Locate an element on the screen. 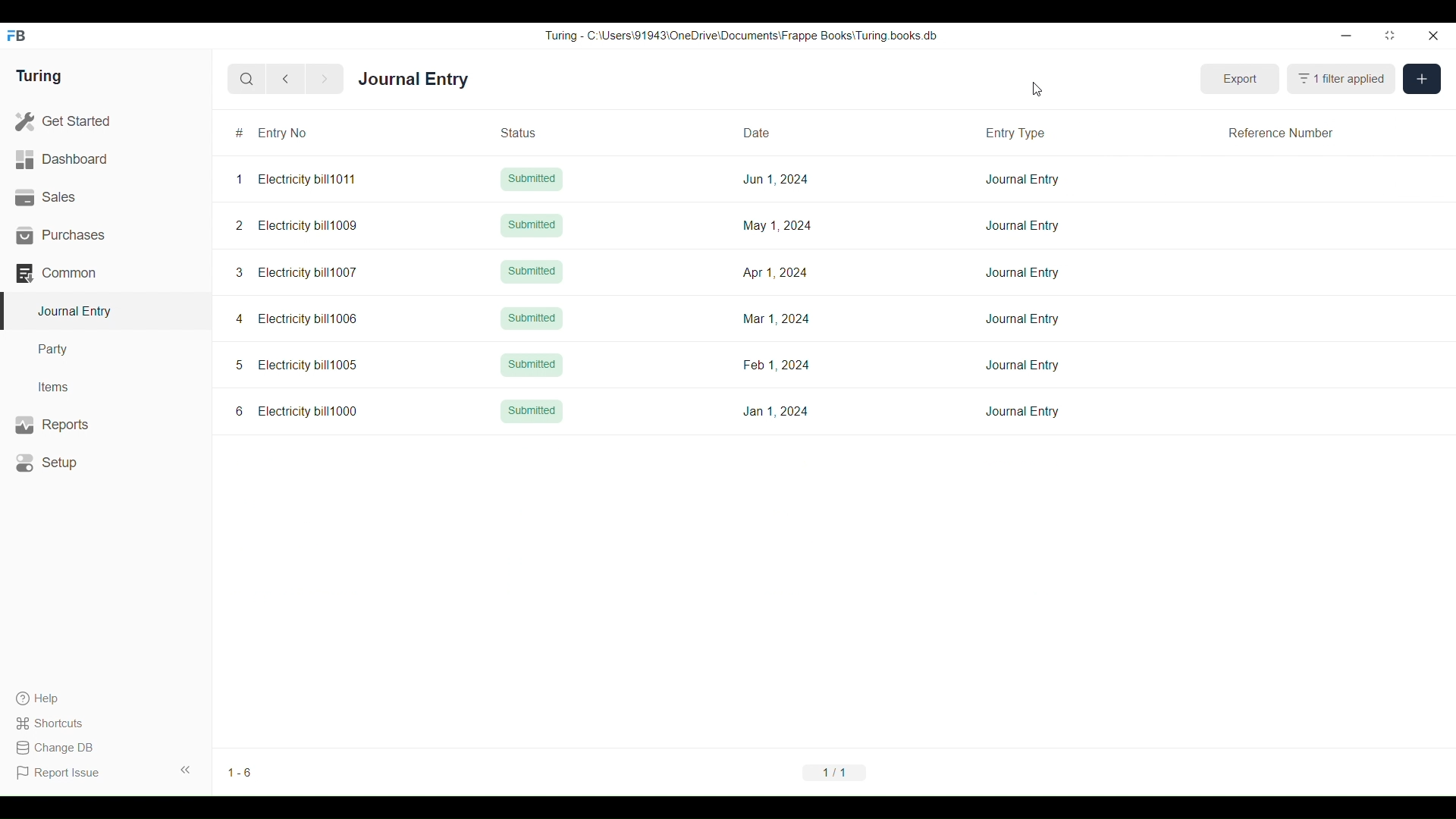  Journal Entry is located at coordinates (413, 78).